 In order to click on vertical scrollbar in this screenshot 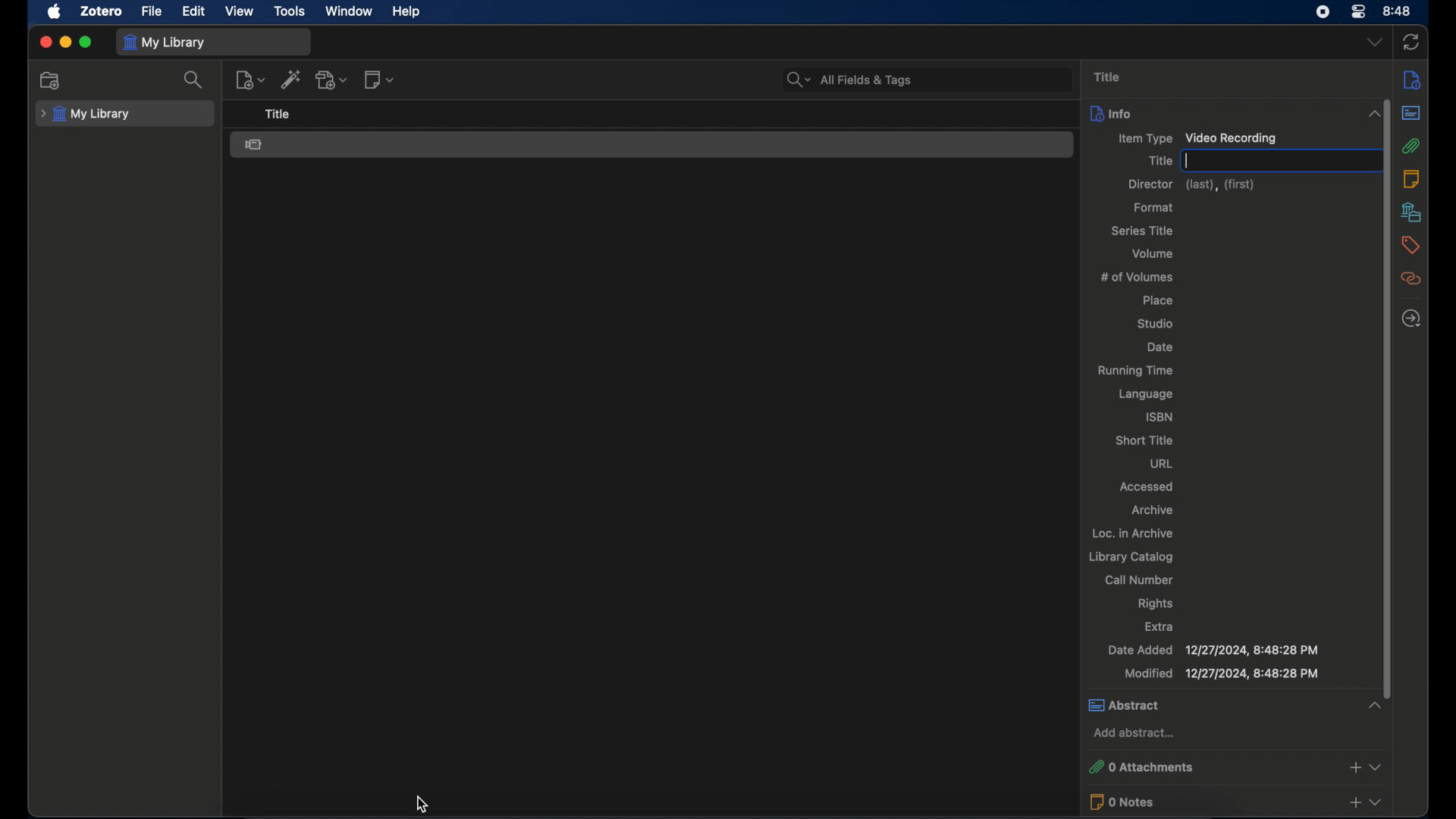, I will do `click(1386, 503)`.